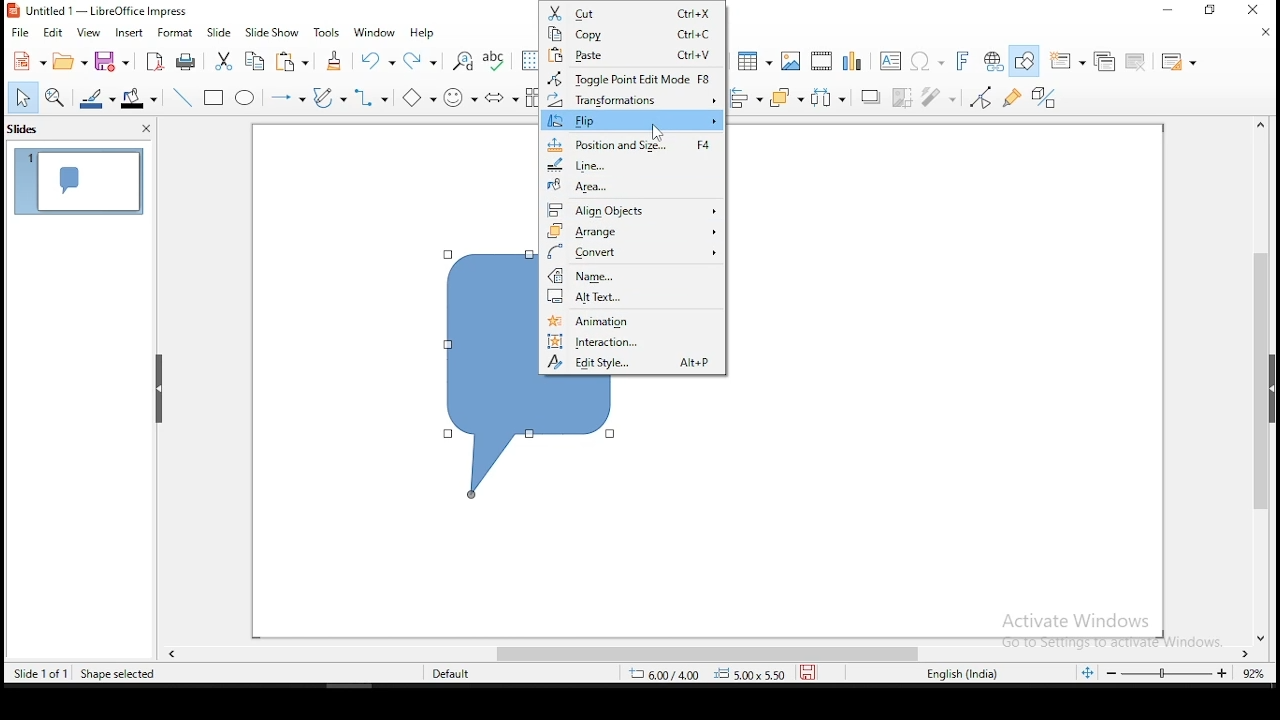  Describe the element at coordinates (1106, 60) in the screenshot. I see `duplicate slide` at that location.